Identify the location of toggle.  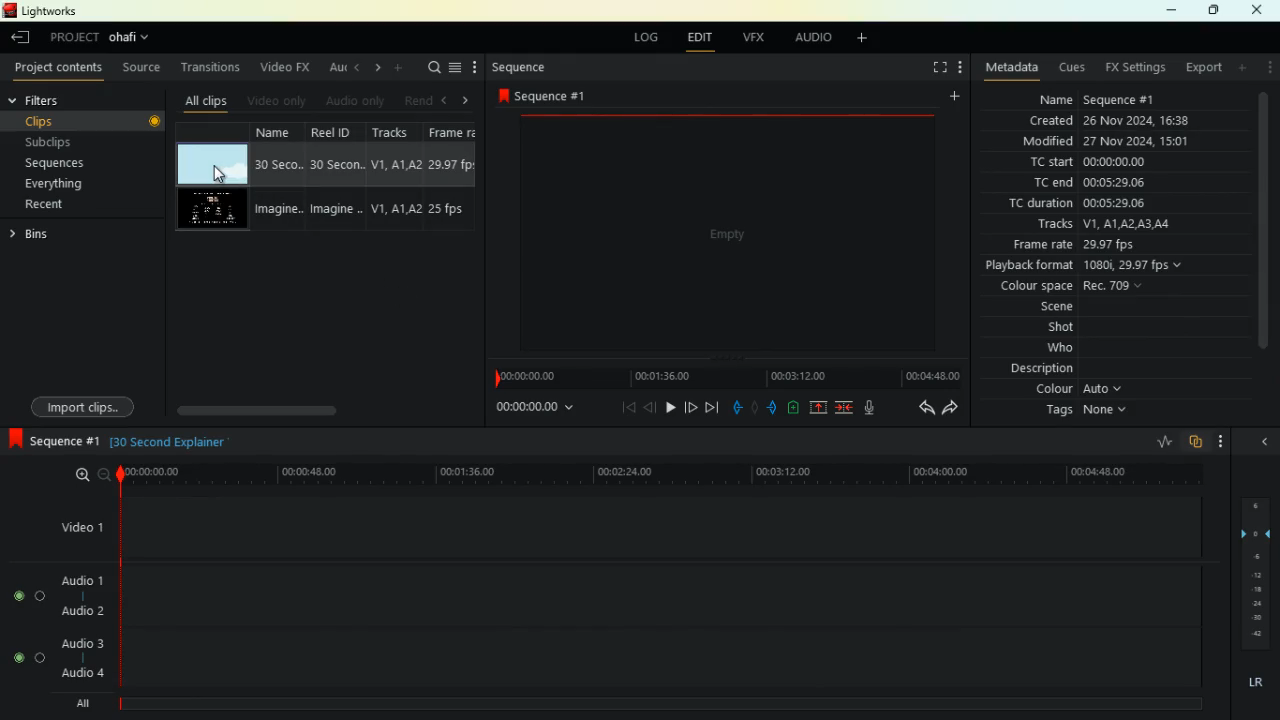
(40, 658).